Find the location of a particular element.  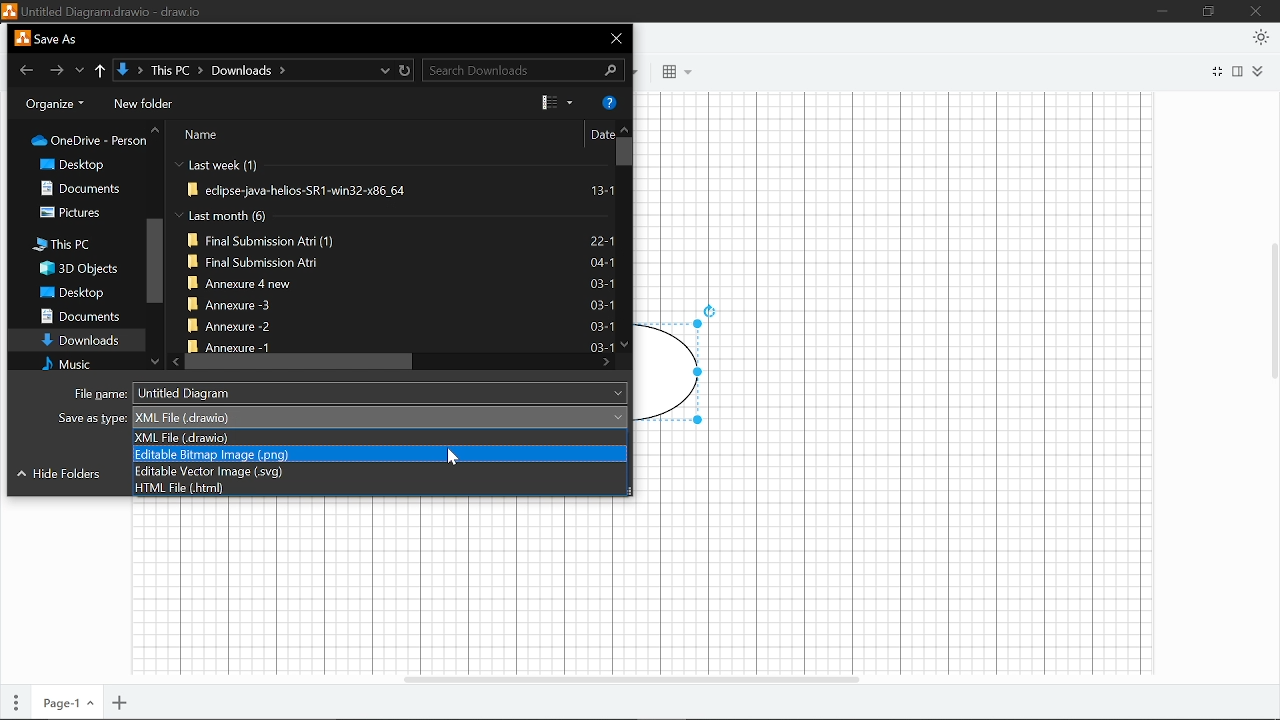

Vertical scrollbar for files in "Downloads" is located at coordinates (625, 152).